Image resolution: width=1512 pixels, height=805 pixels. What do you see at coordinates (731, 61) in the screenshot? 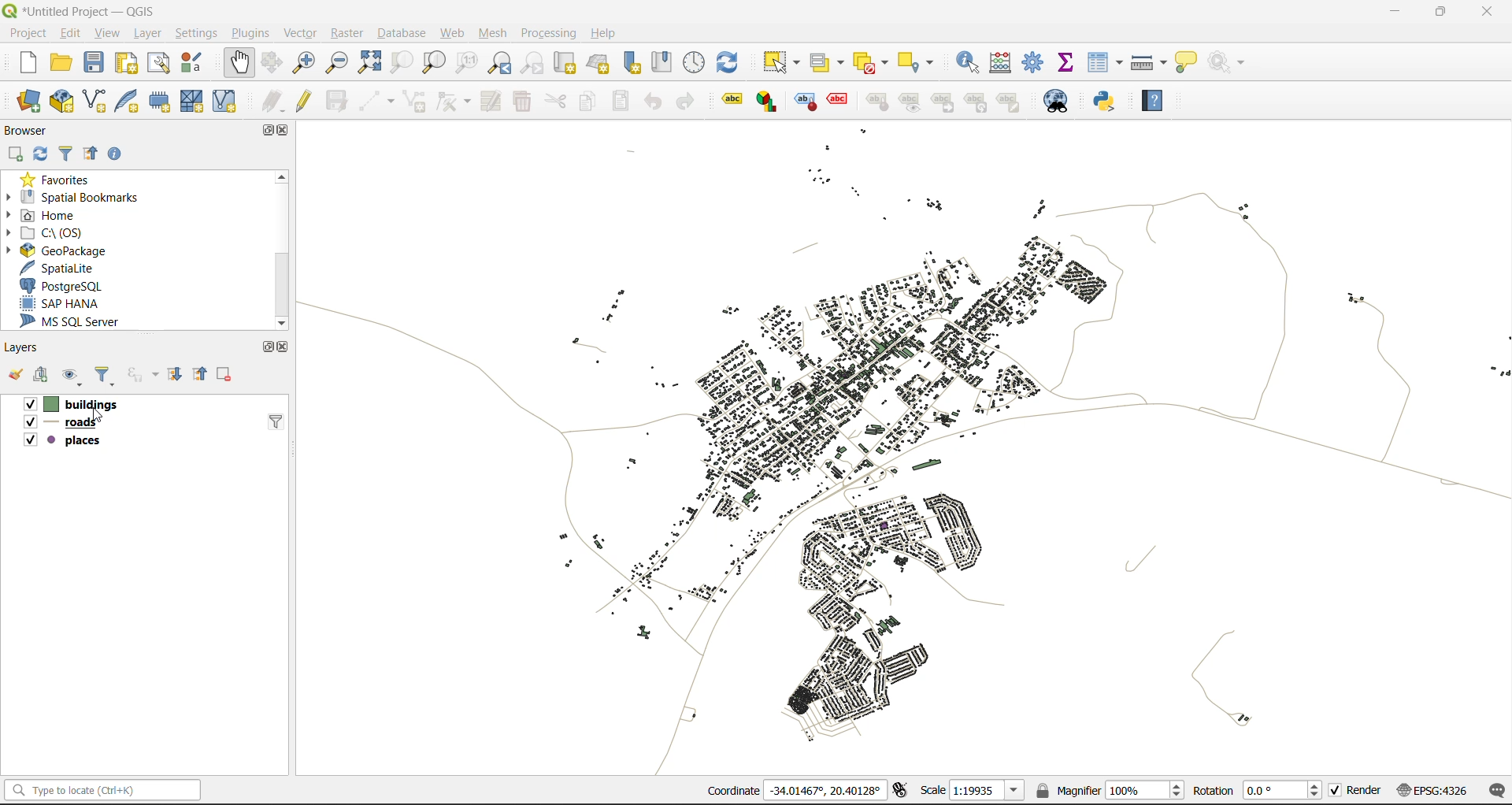
I see `refresh` at bounding box center [731, 61].